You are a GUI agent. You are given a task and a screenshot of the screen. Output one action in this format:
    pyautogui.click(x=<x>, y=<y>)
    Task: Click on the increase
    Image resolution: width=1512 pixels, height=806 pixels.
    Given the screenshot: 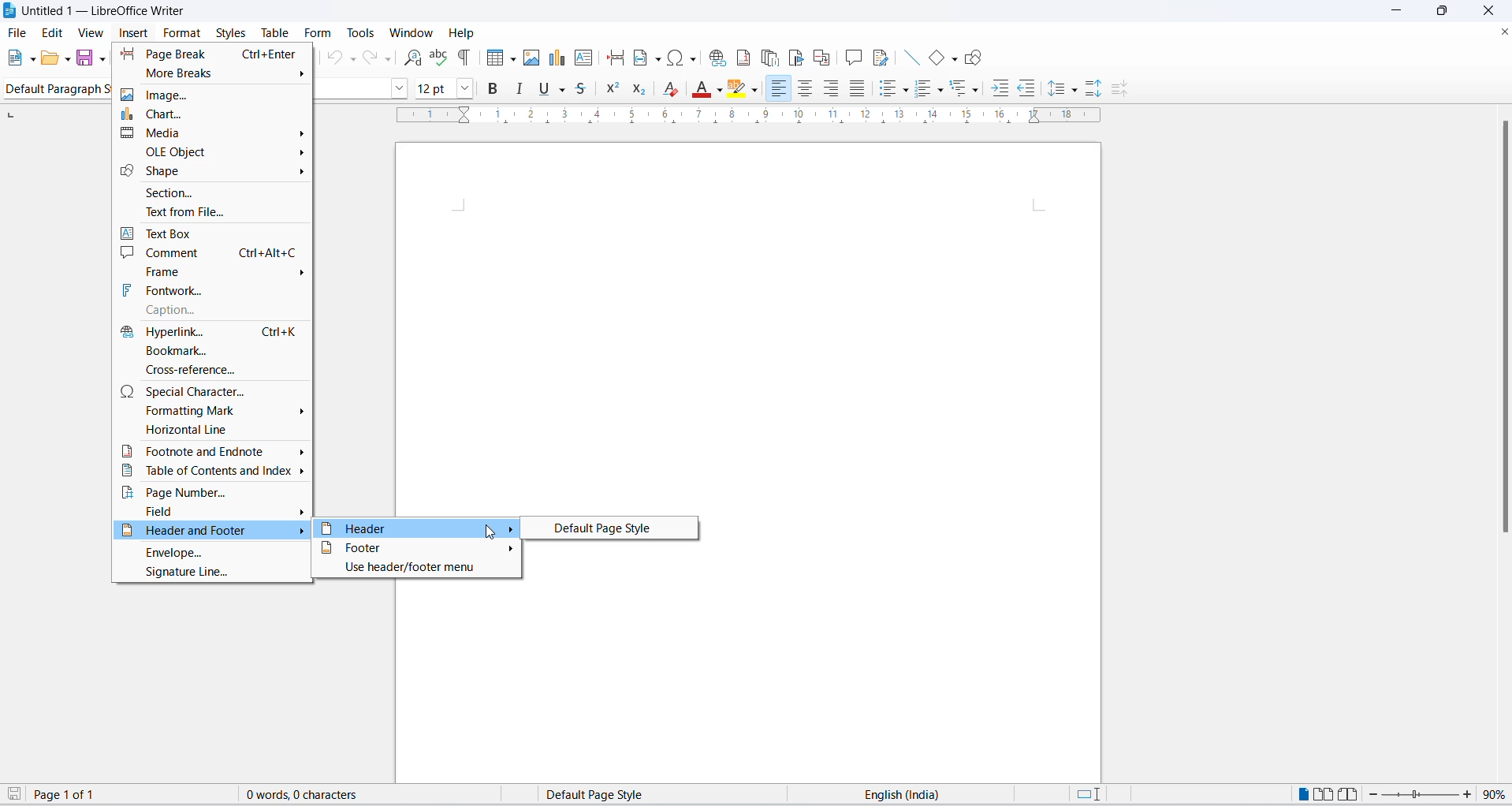 What is the action you would take?
    pyautogui.click(x=1469, y=794)
    